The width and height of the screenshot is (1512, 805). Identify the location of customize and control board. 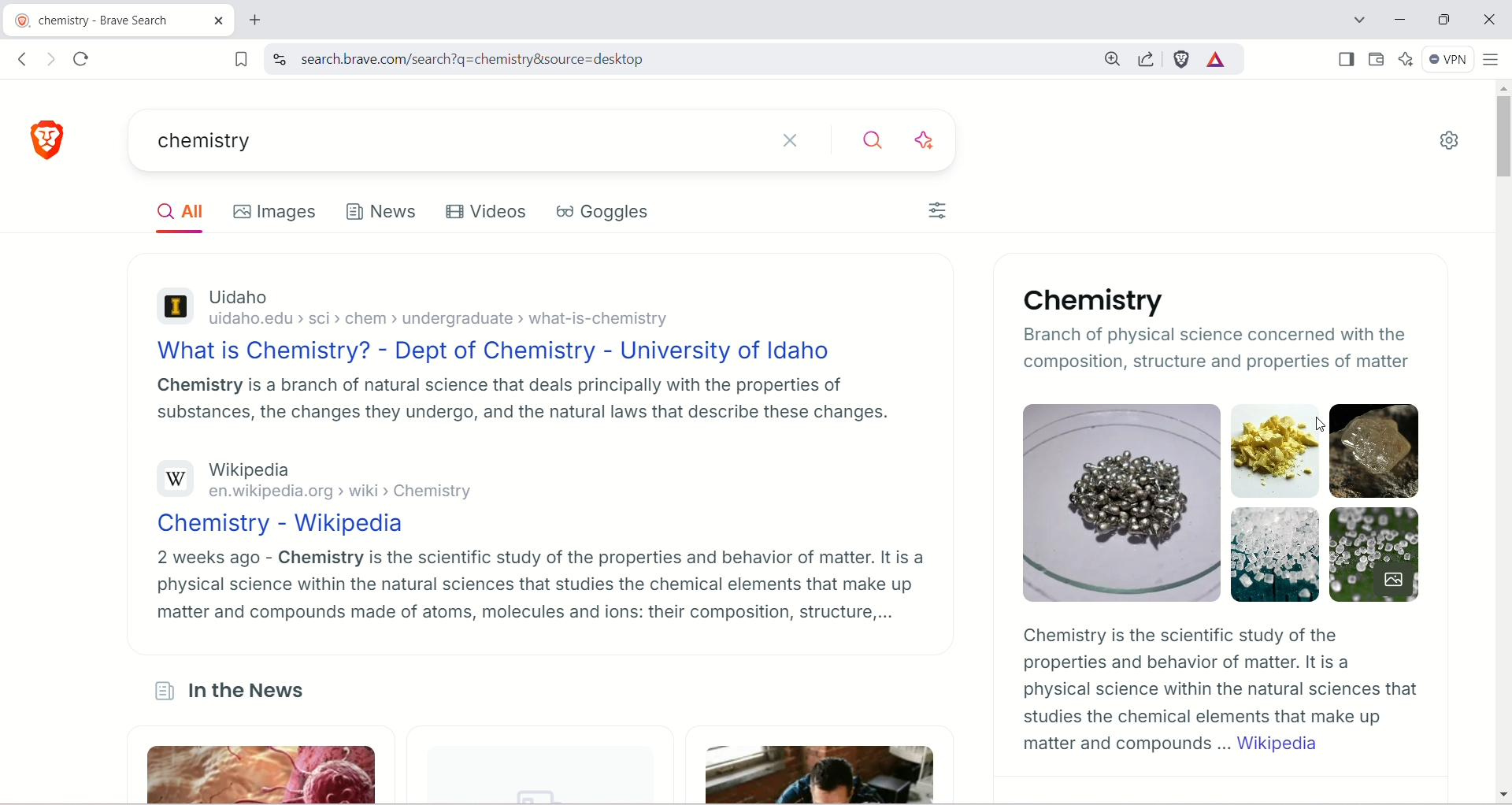
(1490, 59).